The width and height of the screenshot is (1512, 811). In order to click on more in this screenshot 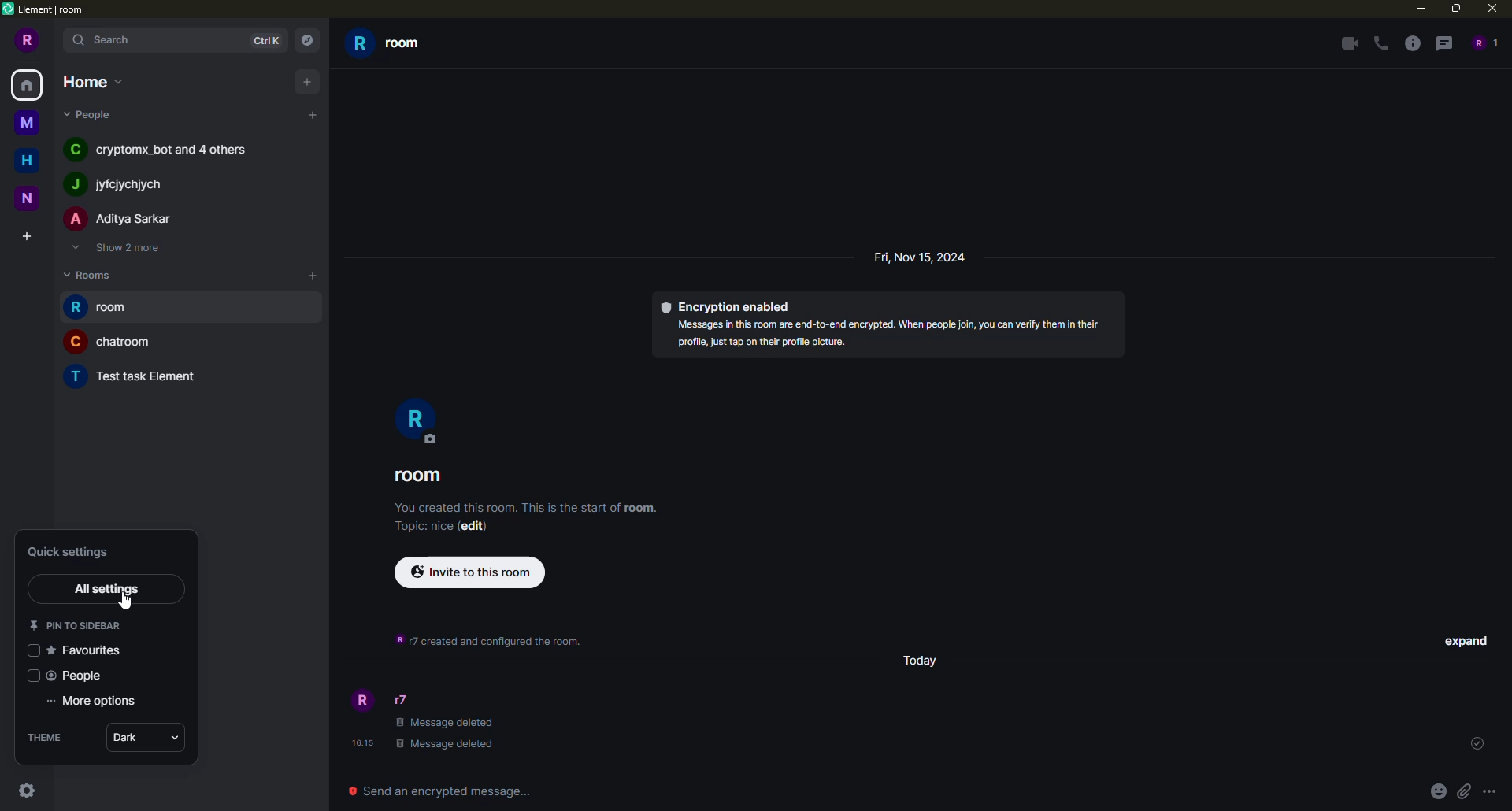, I will do `click(1490, 792)`.